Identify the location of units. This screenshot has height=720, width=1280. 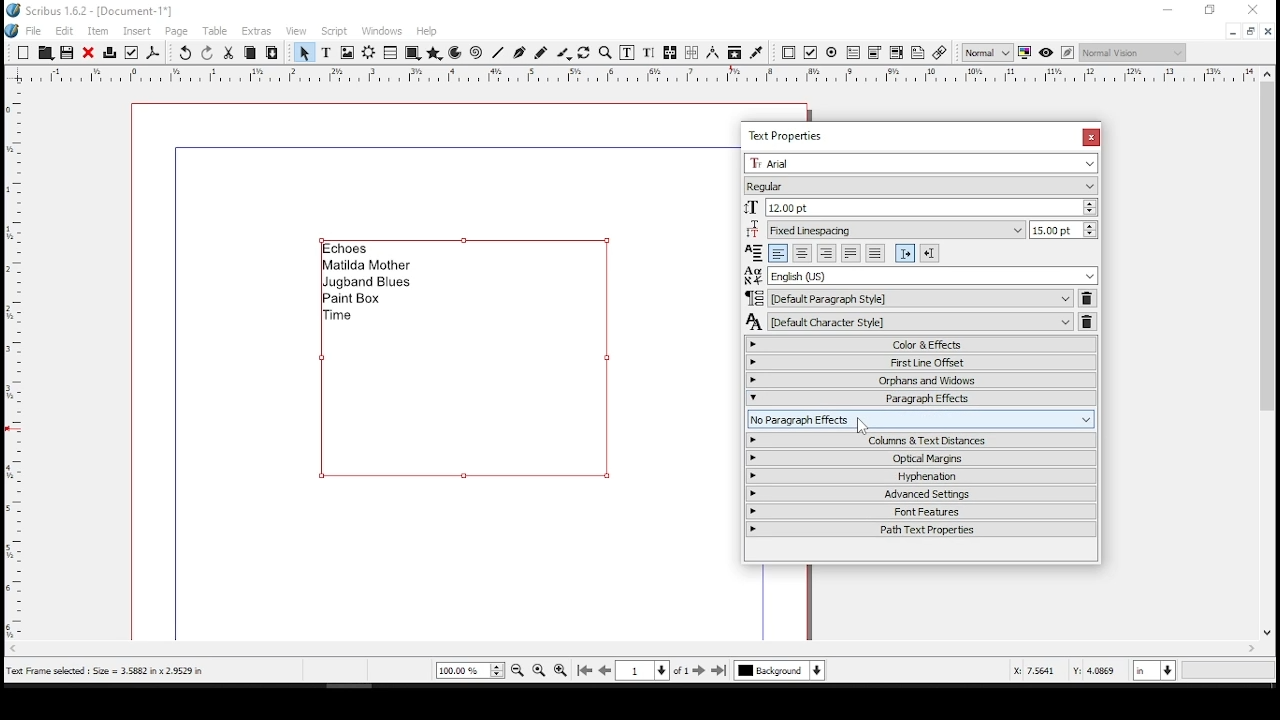
(1152, 672).